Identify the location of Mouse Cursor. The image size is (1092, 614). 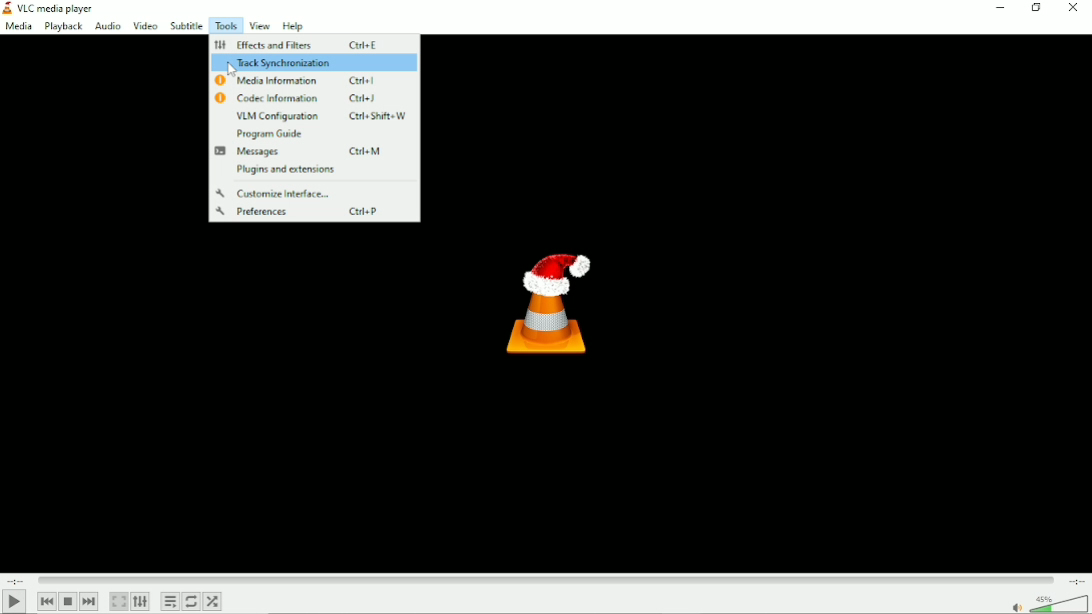
(228, 70).